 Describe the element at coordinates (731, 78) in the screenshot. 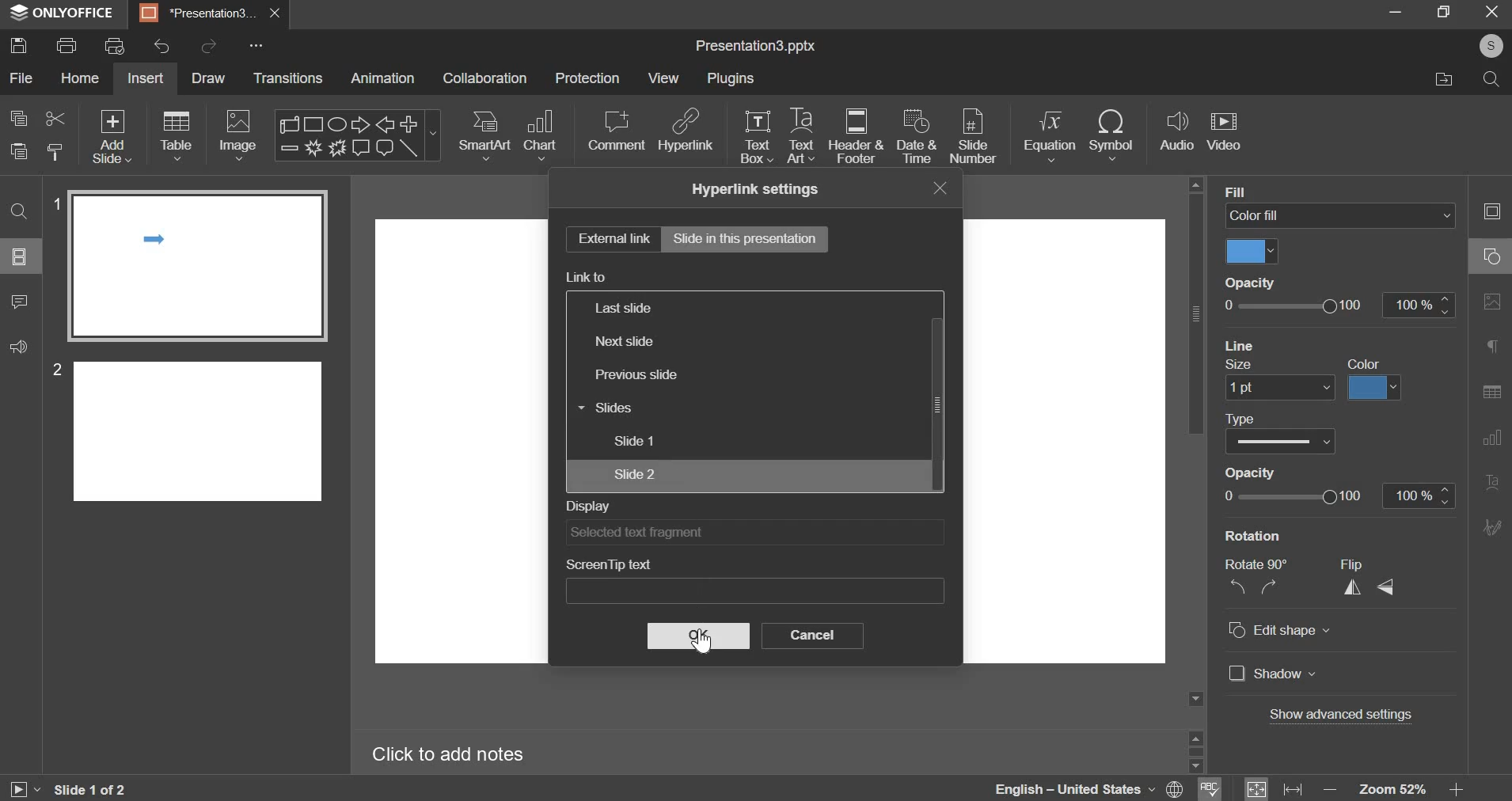

I see `plugins` at that location.